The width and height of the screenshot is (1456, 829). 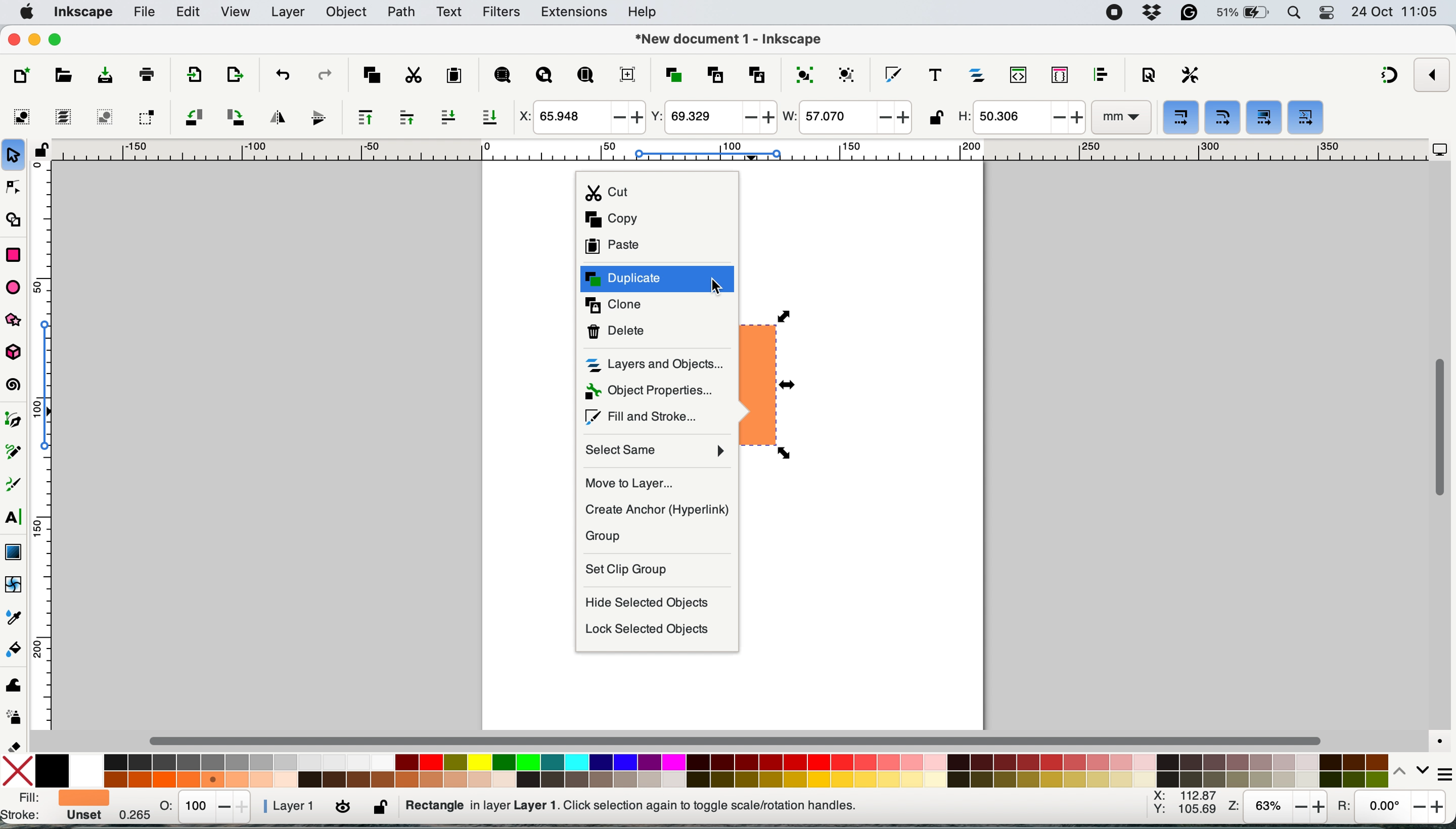 I want to click on selectors and css, so click(x=1060, y=74).